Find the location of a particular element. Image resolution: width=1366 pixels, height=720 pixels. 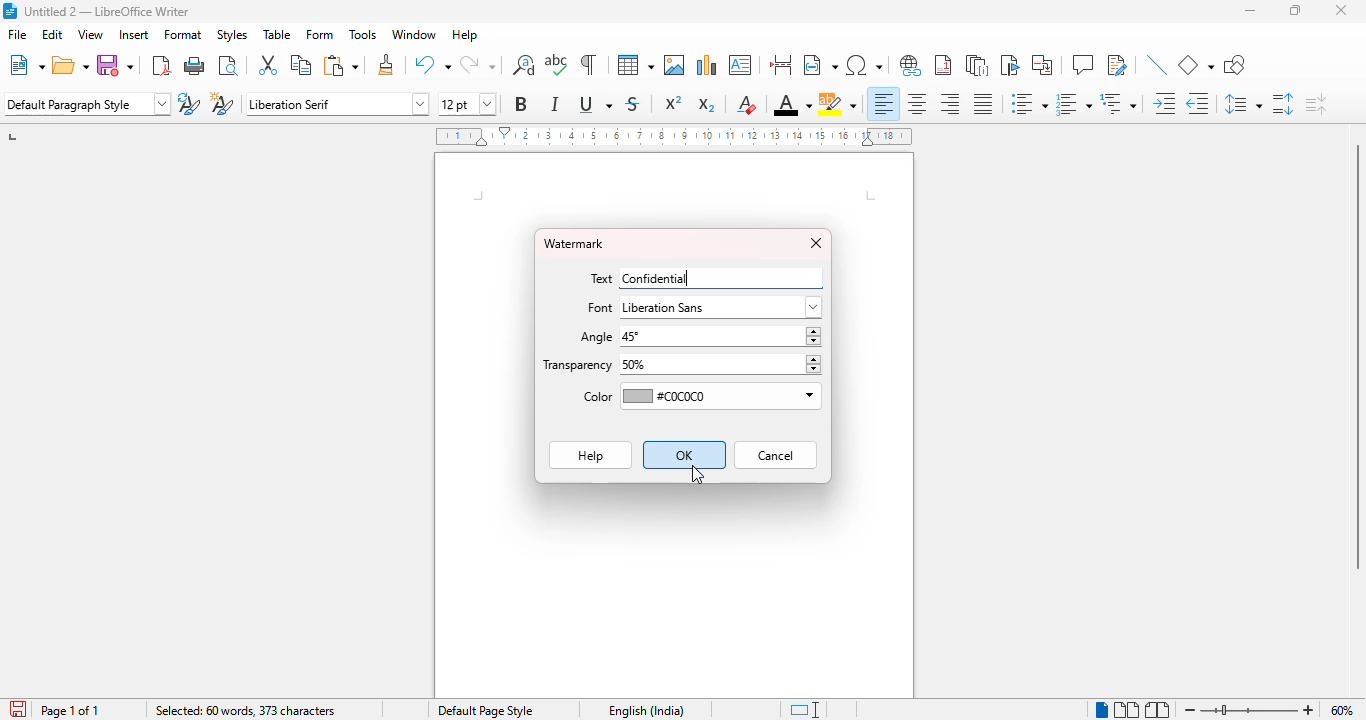

Selected 60 words, 373 characers is located at coordinates (245, 710).